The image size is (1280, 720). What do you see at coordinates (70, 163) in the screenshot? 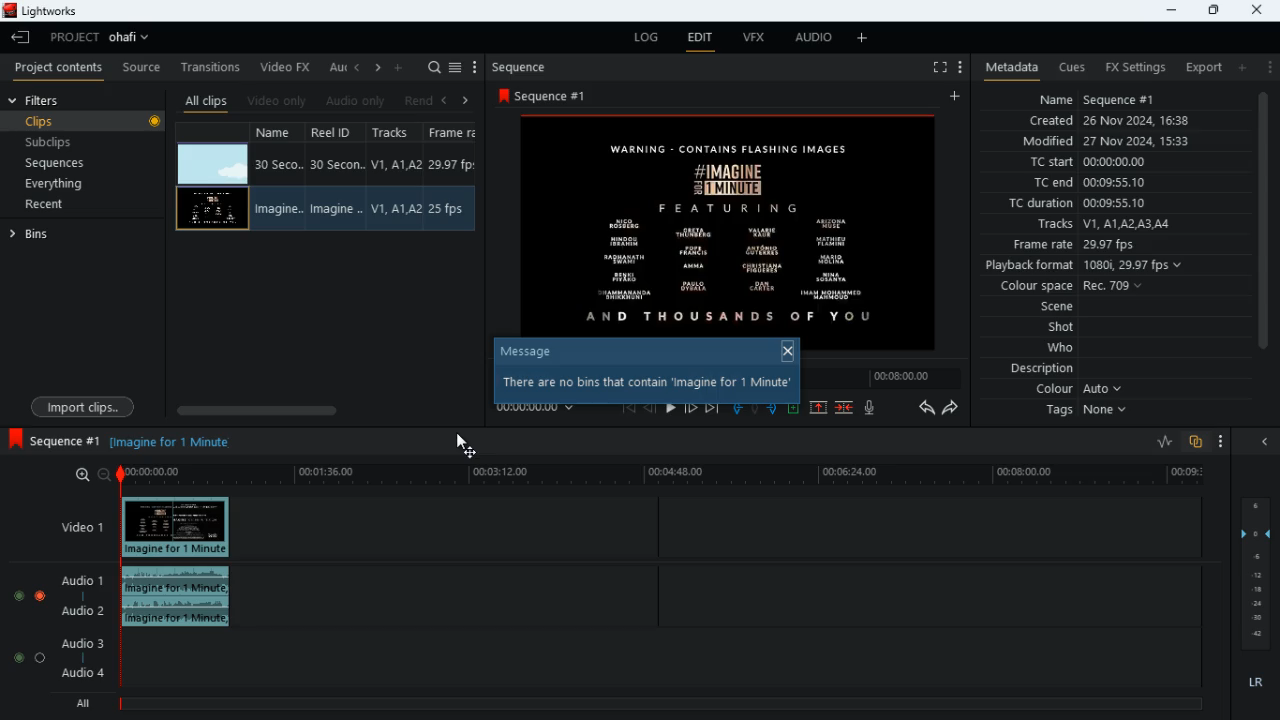
I see `sequences` at bounding box center [70, 163].